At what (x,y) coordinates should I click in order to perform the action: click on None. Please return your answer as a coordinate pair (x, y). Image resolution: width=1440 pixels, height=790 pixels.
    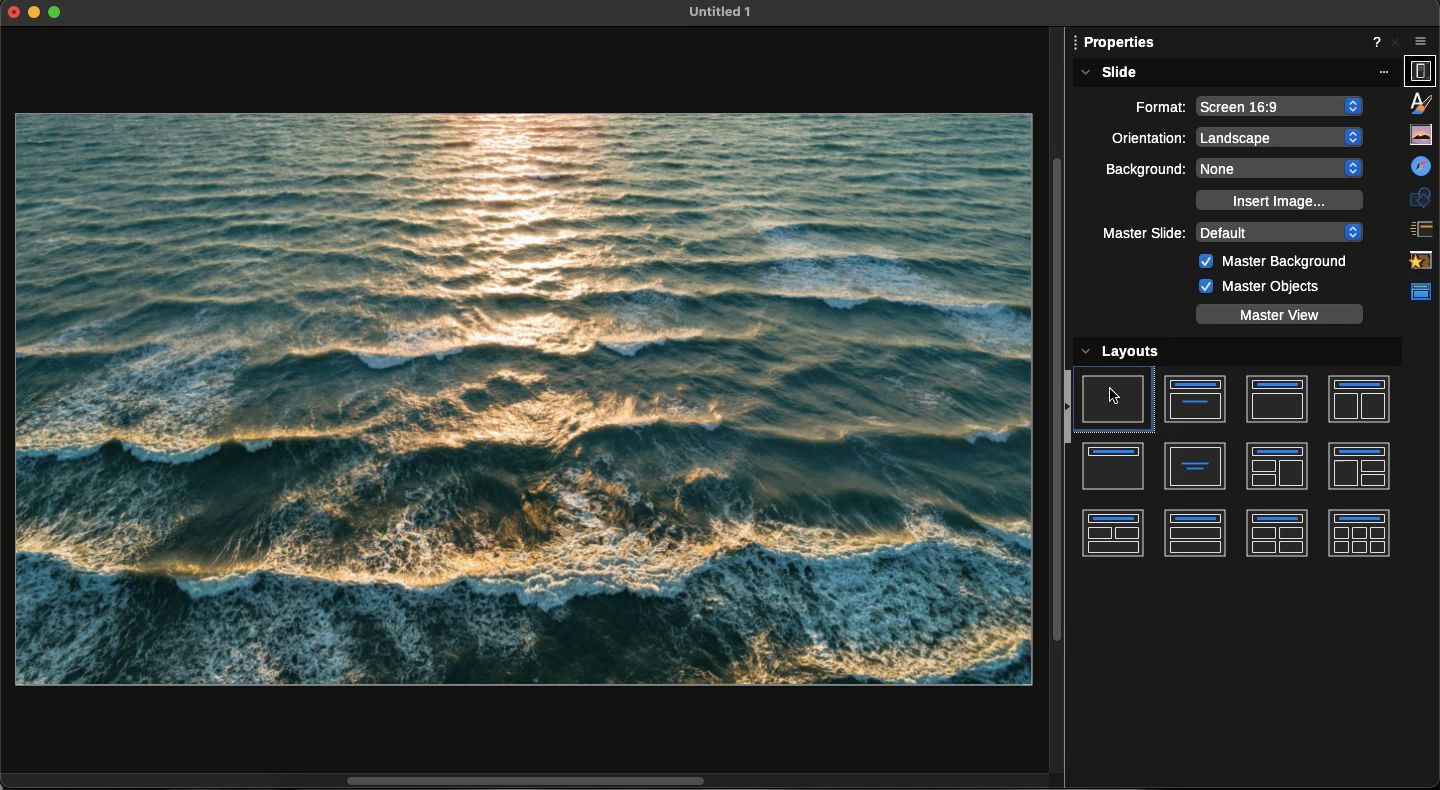
    Looking at the image, I should click on (1282, 168).